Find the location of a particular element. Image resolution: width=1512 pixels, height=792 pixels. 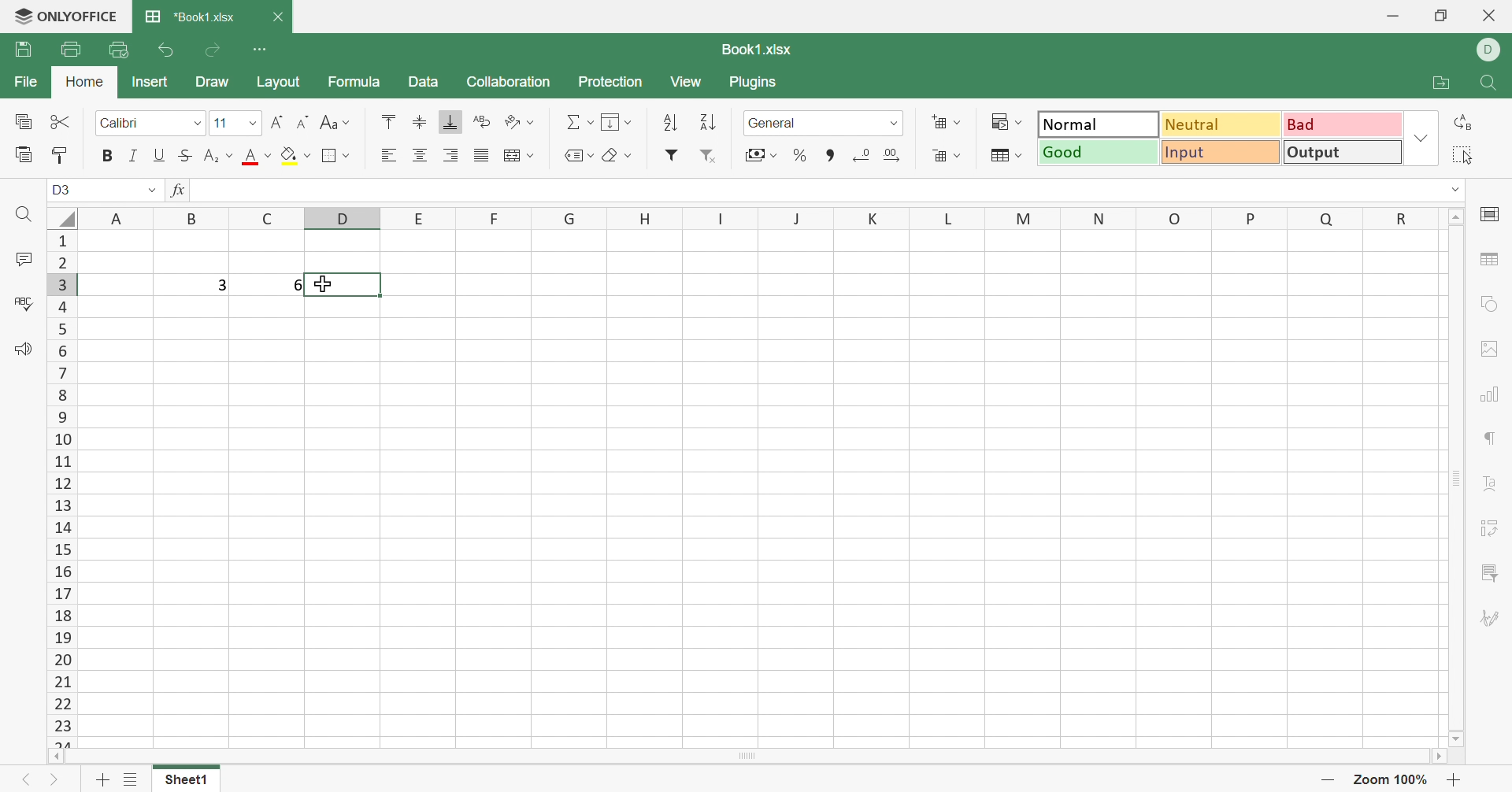

Conditional formatting is located at coordinates (1007, 123).